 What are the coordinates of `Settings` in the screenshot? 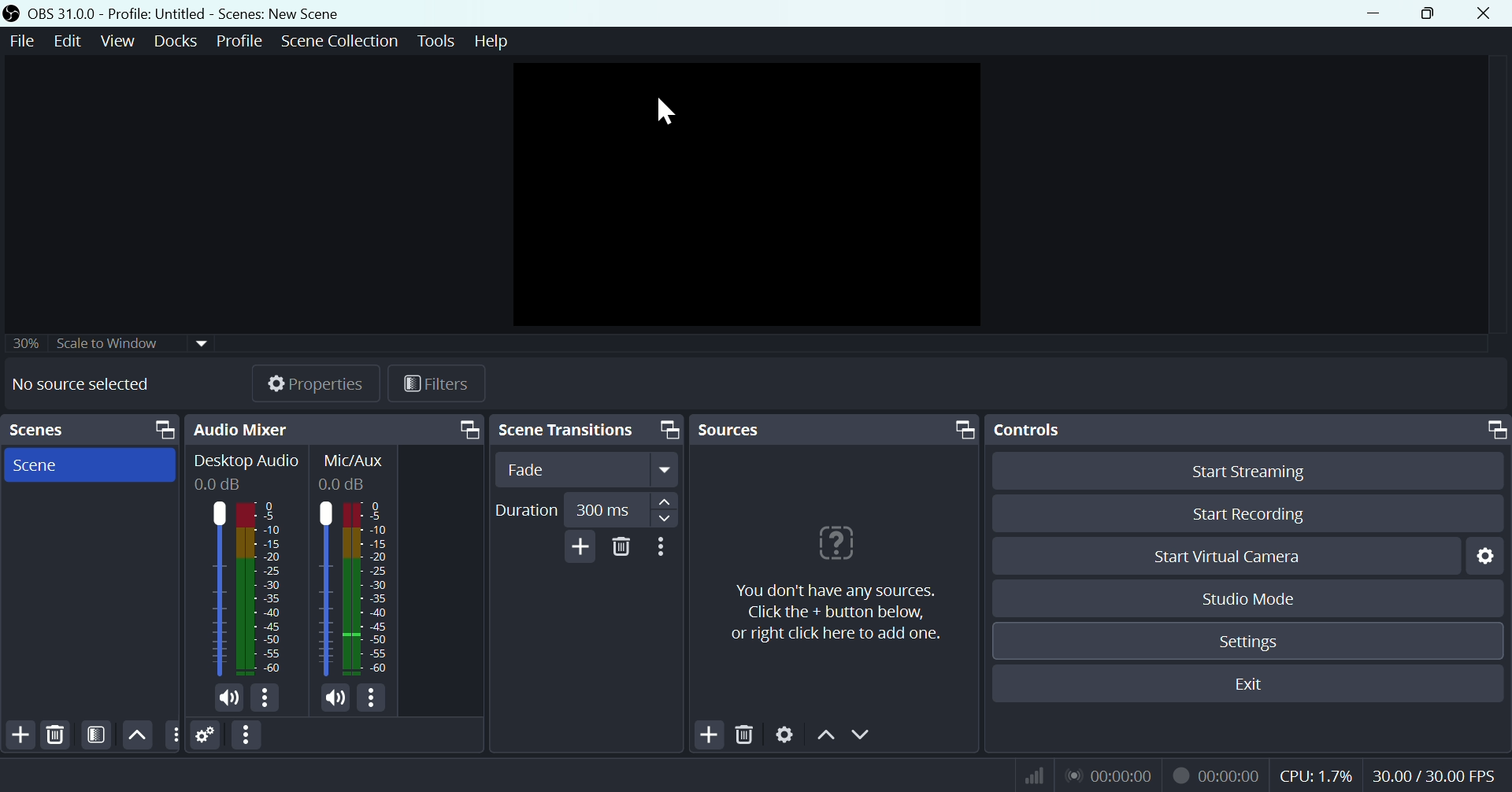 It's located at (206, 735).